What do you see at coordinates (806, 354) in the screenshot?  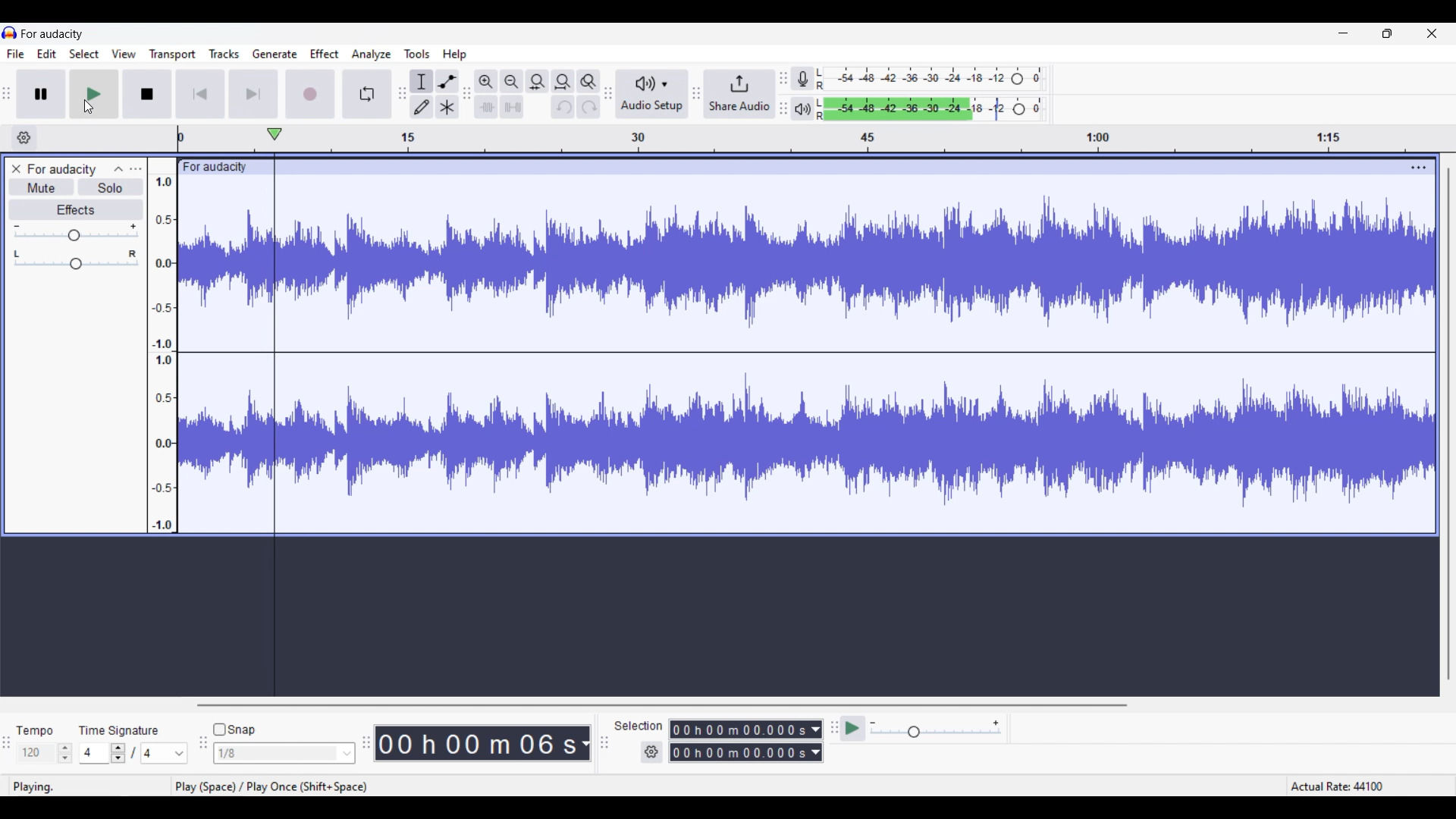 I see `Current track` at bounding box center [806, 354].